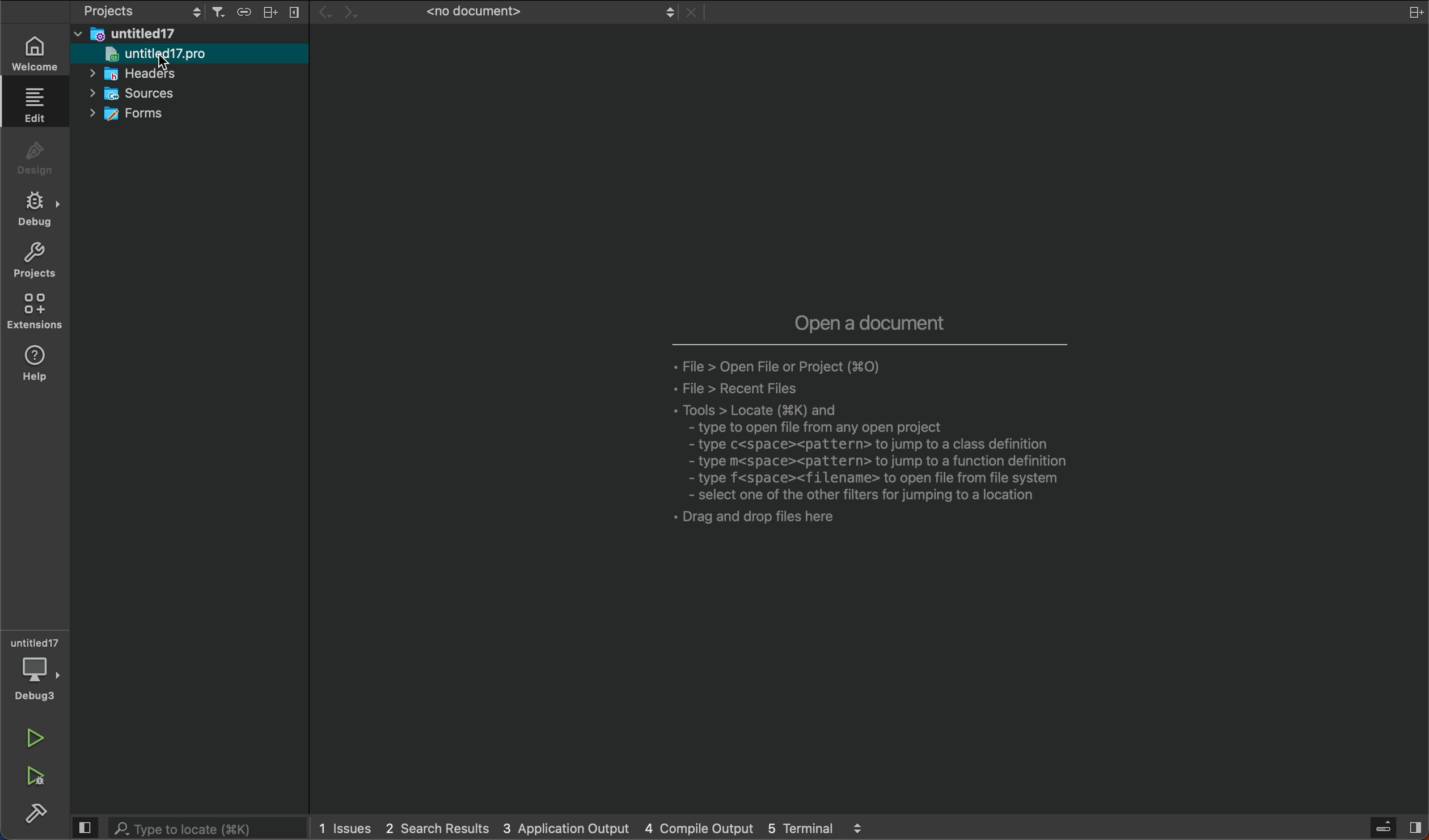 This screenshot has width=1429, height=840. Describe the element at coordinates (703, 828) in the screenshot. I see `4 compile output` at that location.